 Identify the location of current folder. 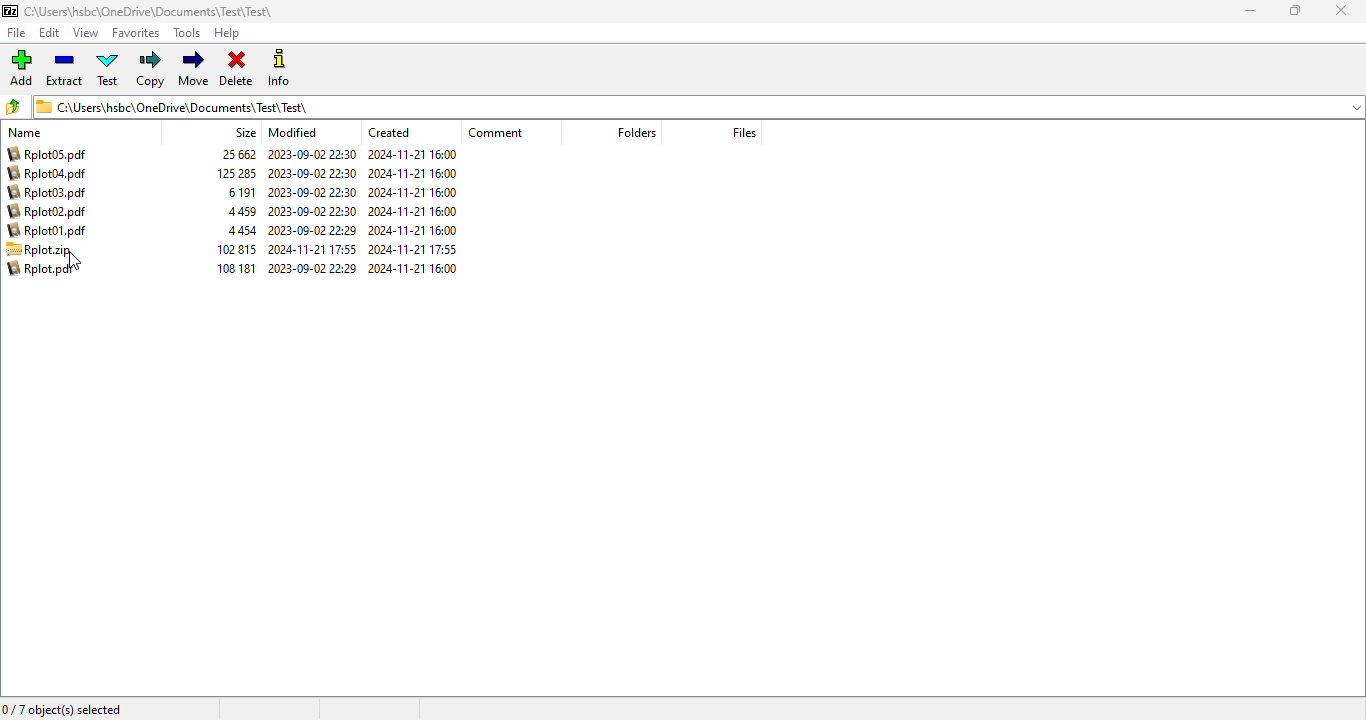
(149, 11).